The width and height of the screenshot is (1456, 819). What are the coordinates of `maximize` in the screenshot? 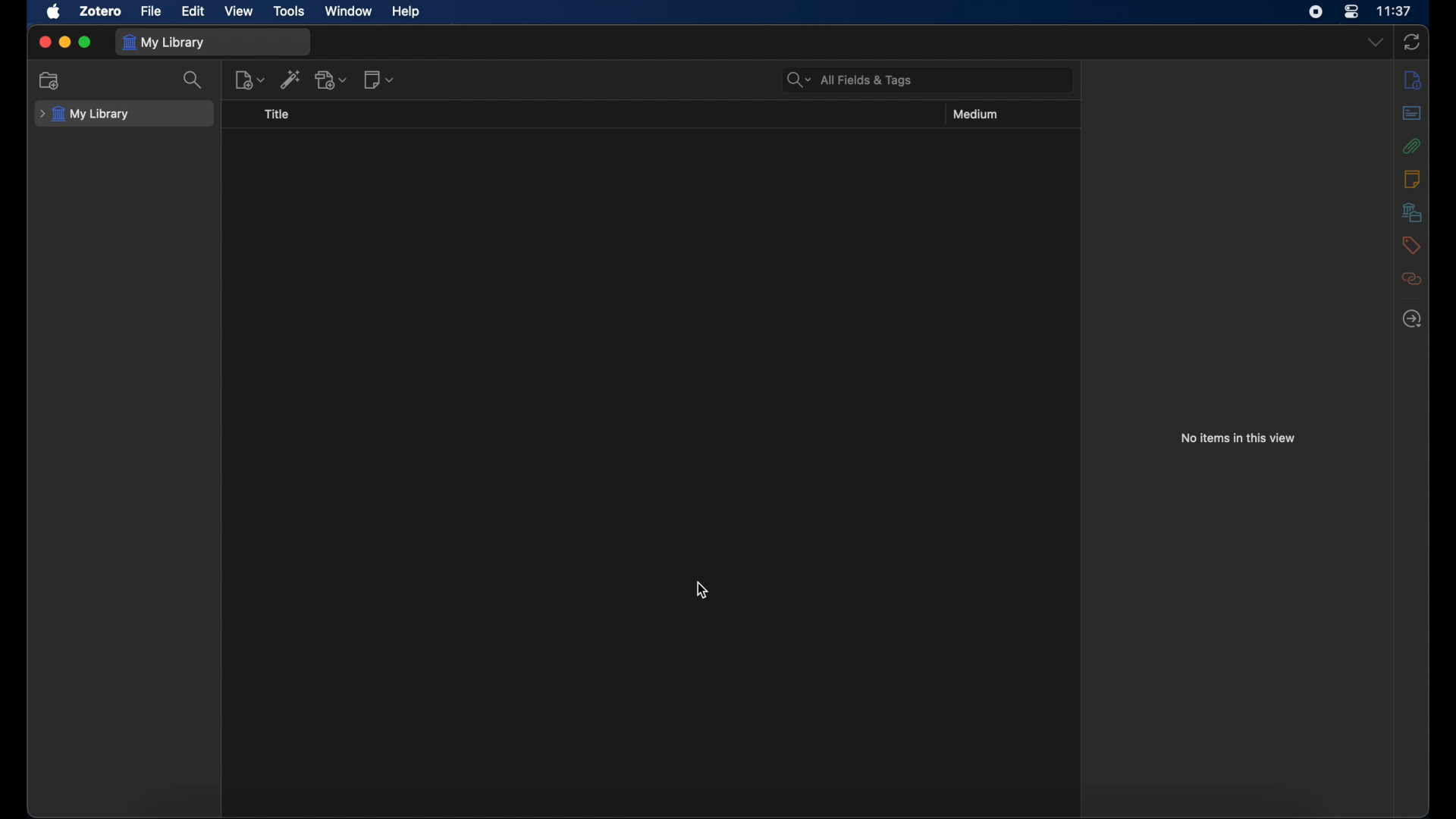 It's located at (86, 43).